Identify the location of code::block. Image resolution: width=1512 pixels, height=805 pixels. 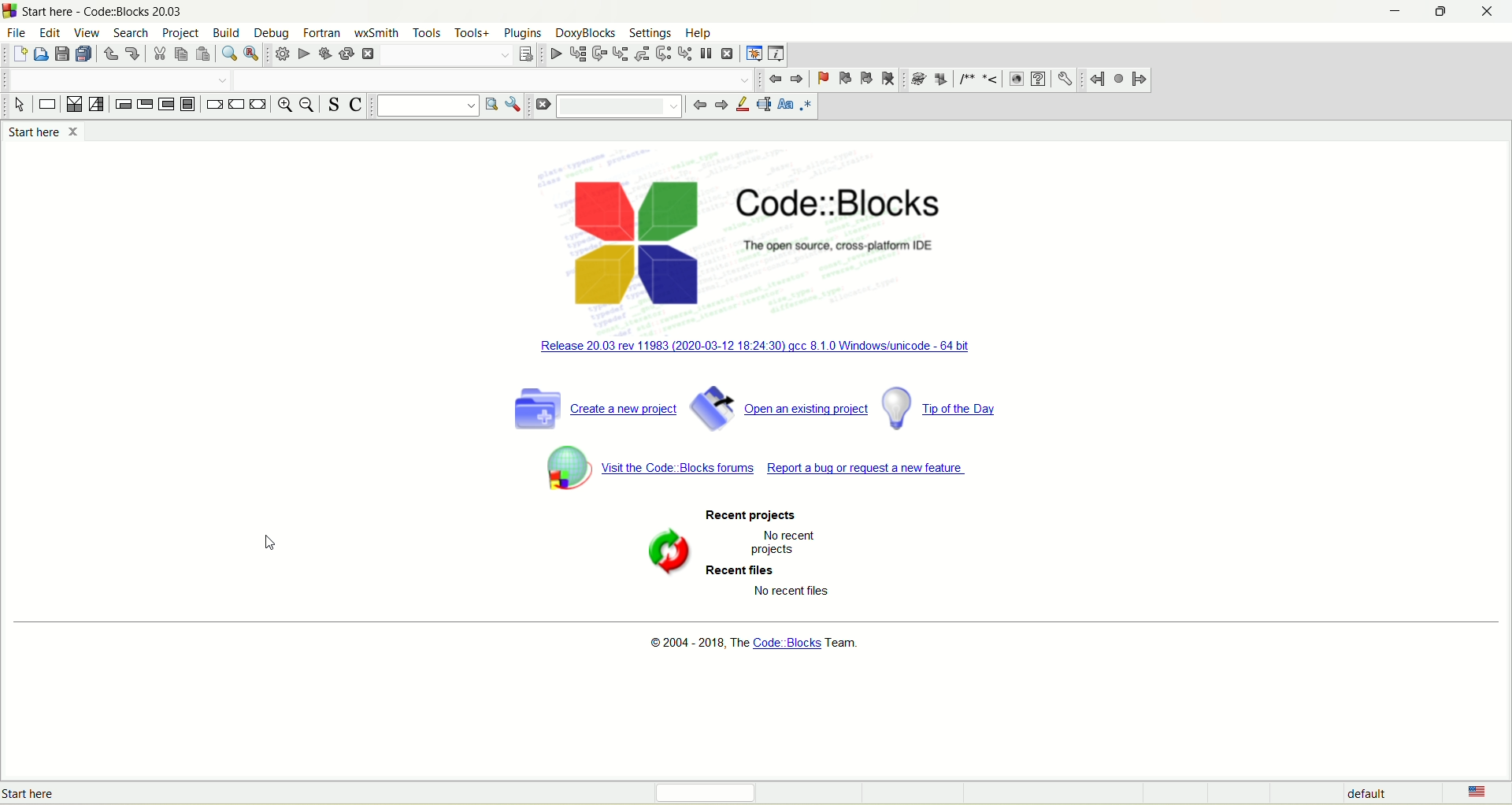
(847, 197).